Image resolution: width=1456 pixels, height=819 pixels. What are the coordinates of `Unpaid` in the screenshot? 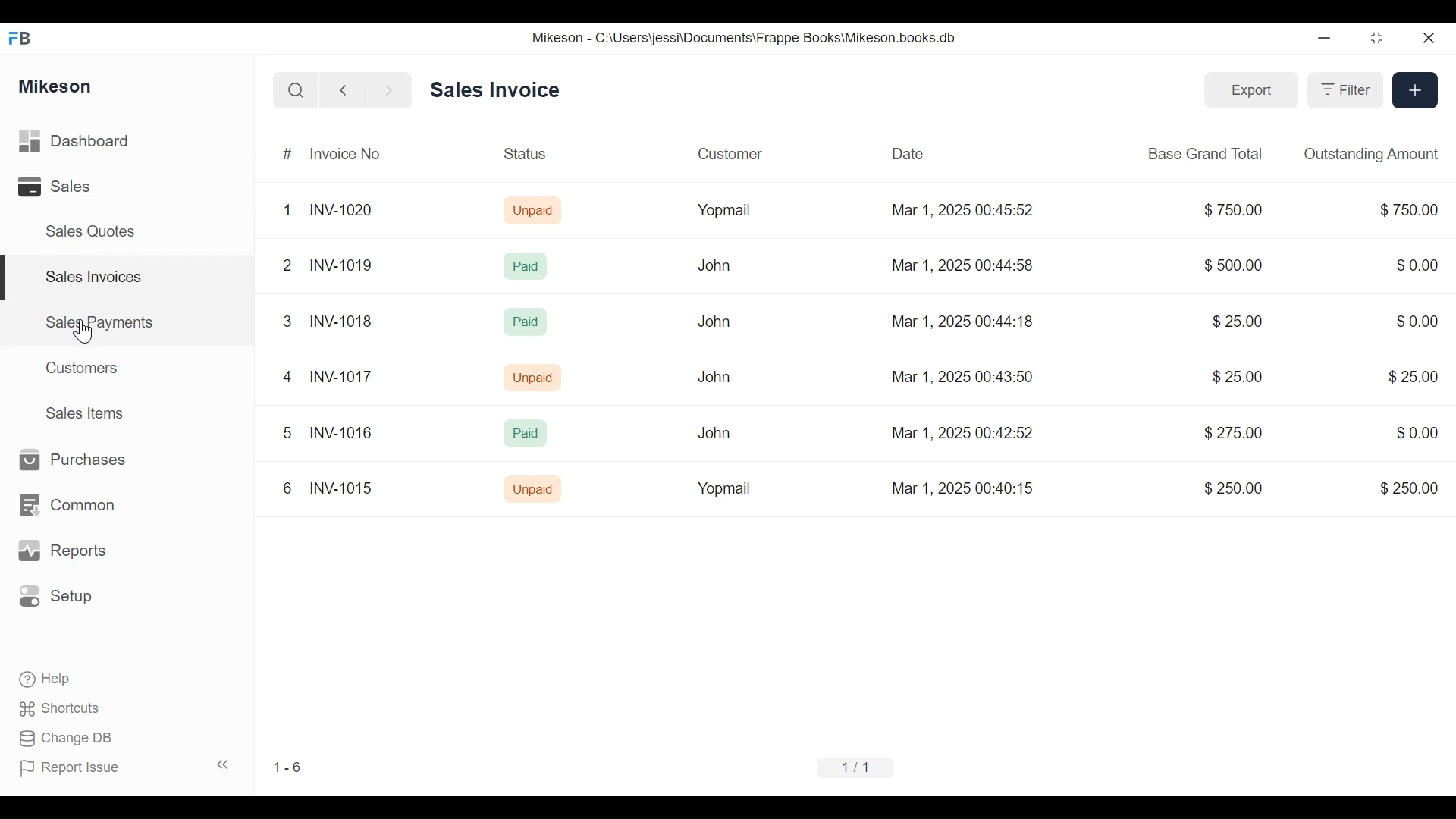 It's located at (532, 491).